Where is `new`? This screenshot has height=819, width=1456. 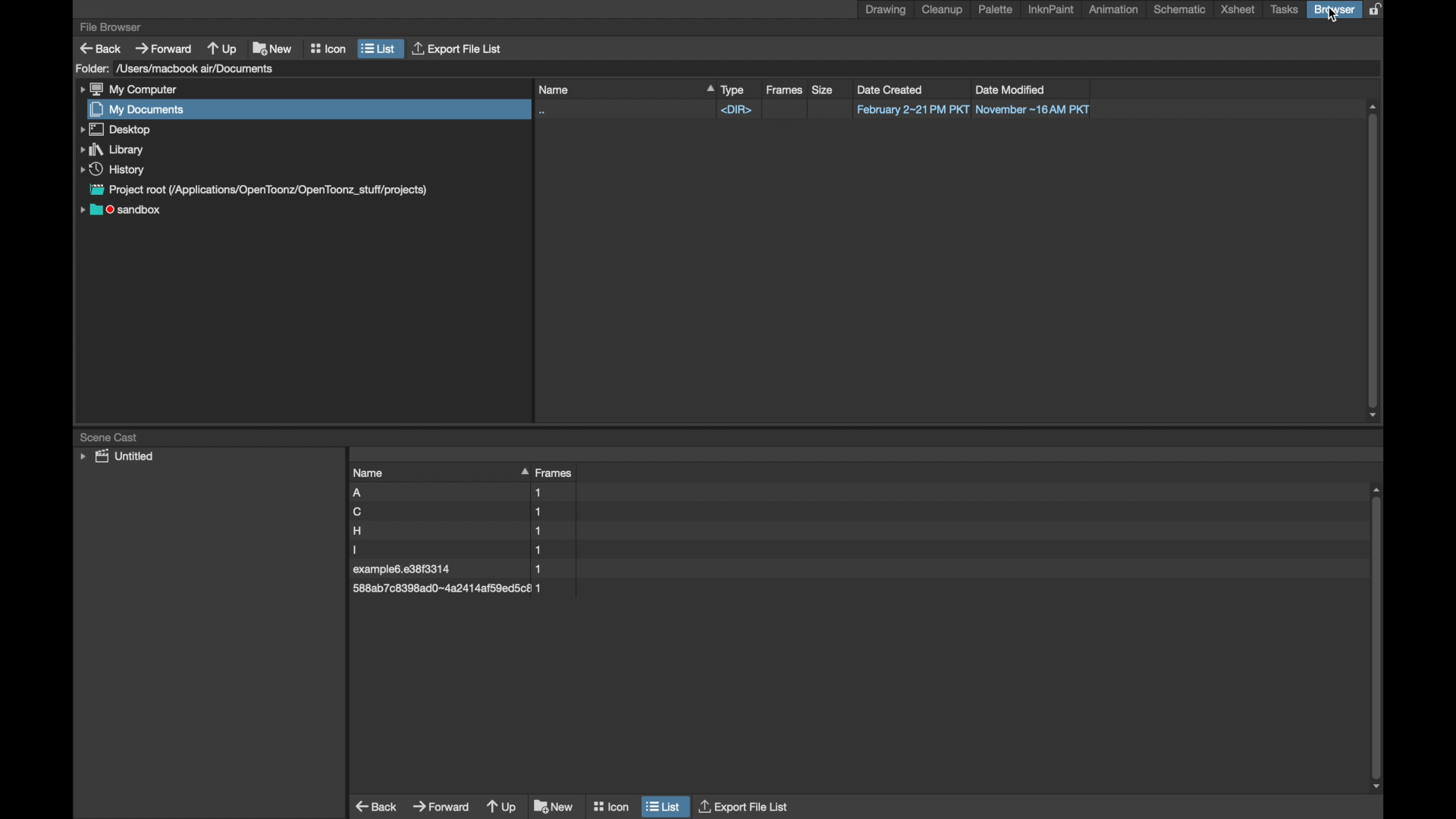 new is located at coordinates (552, 806).